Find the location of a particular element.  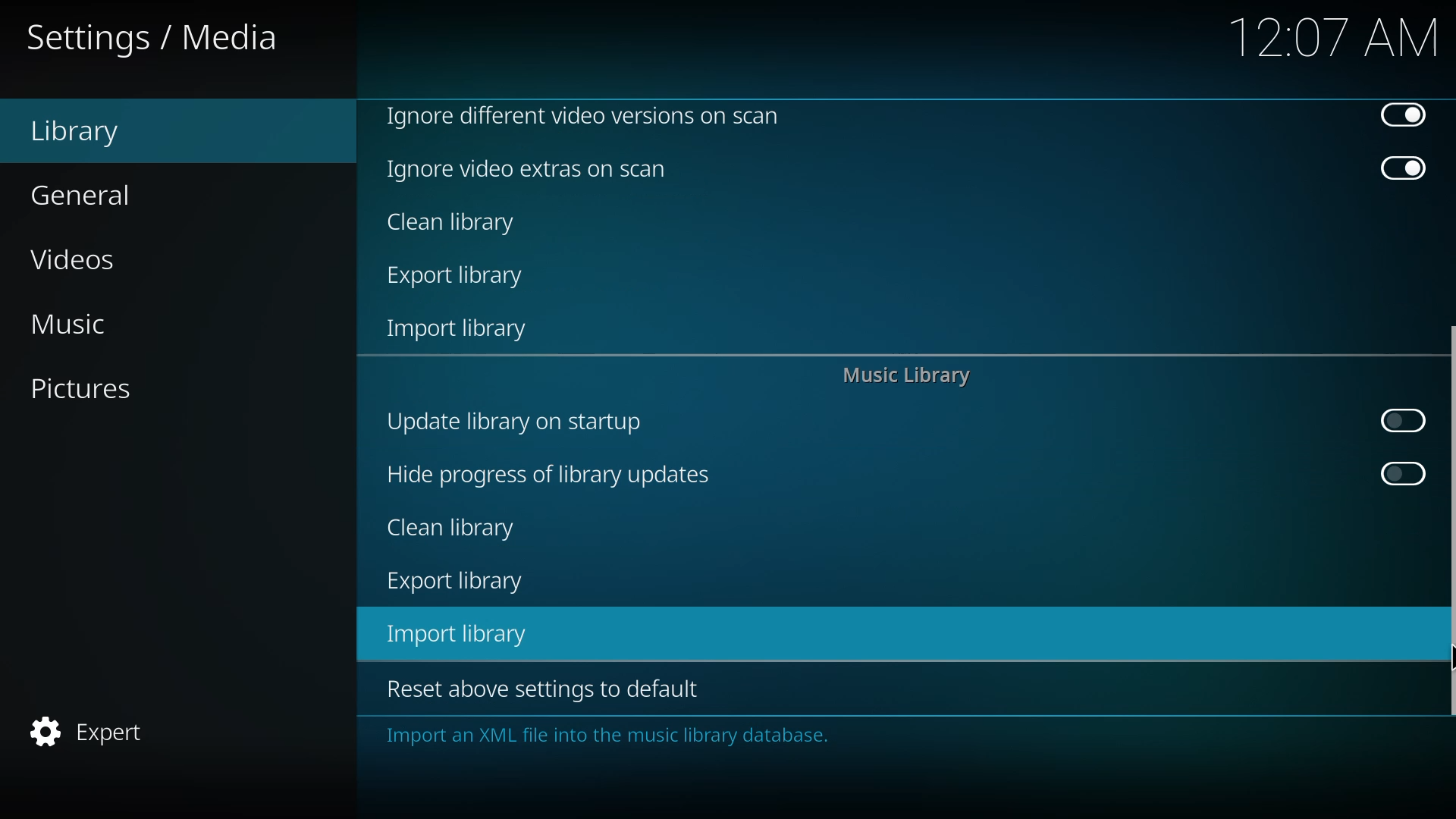

expert is located at coordinates (86, 732).